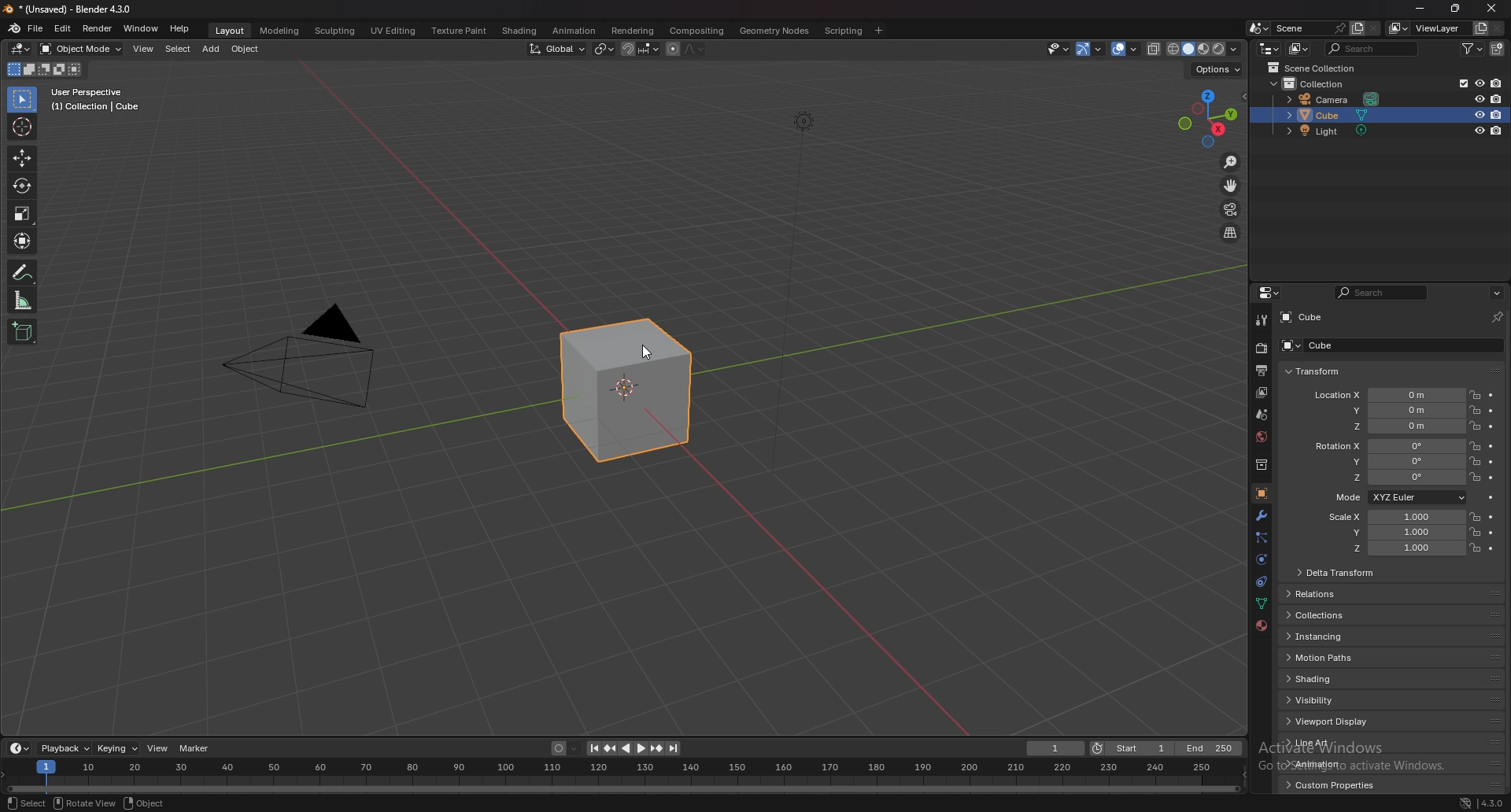 This screenshot has height=812, width=1511. I want to click on add view layer, so click(1480, 28).